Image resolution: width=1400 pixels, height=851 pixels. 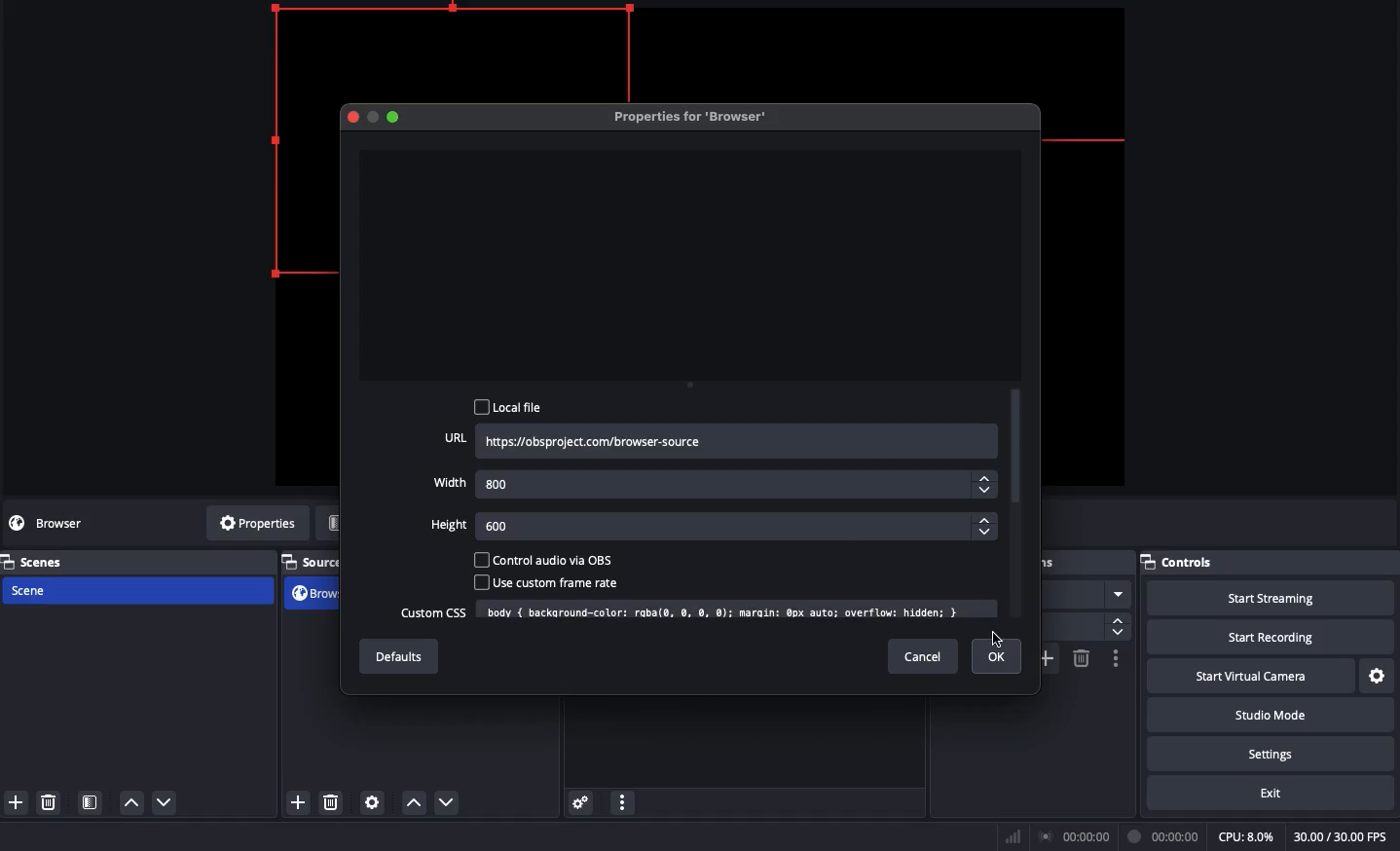 What do you see at coordinates (323, 562) in the screenshot?
I see `Sources` at bounding box center [323, 562].